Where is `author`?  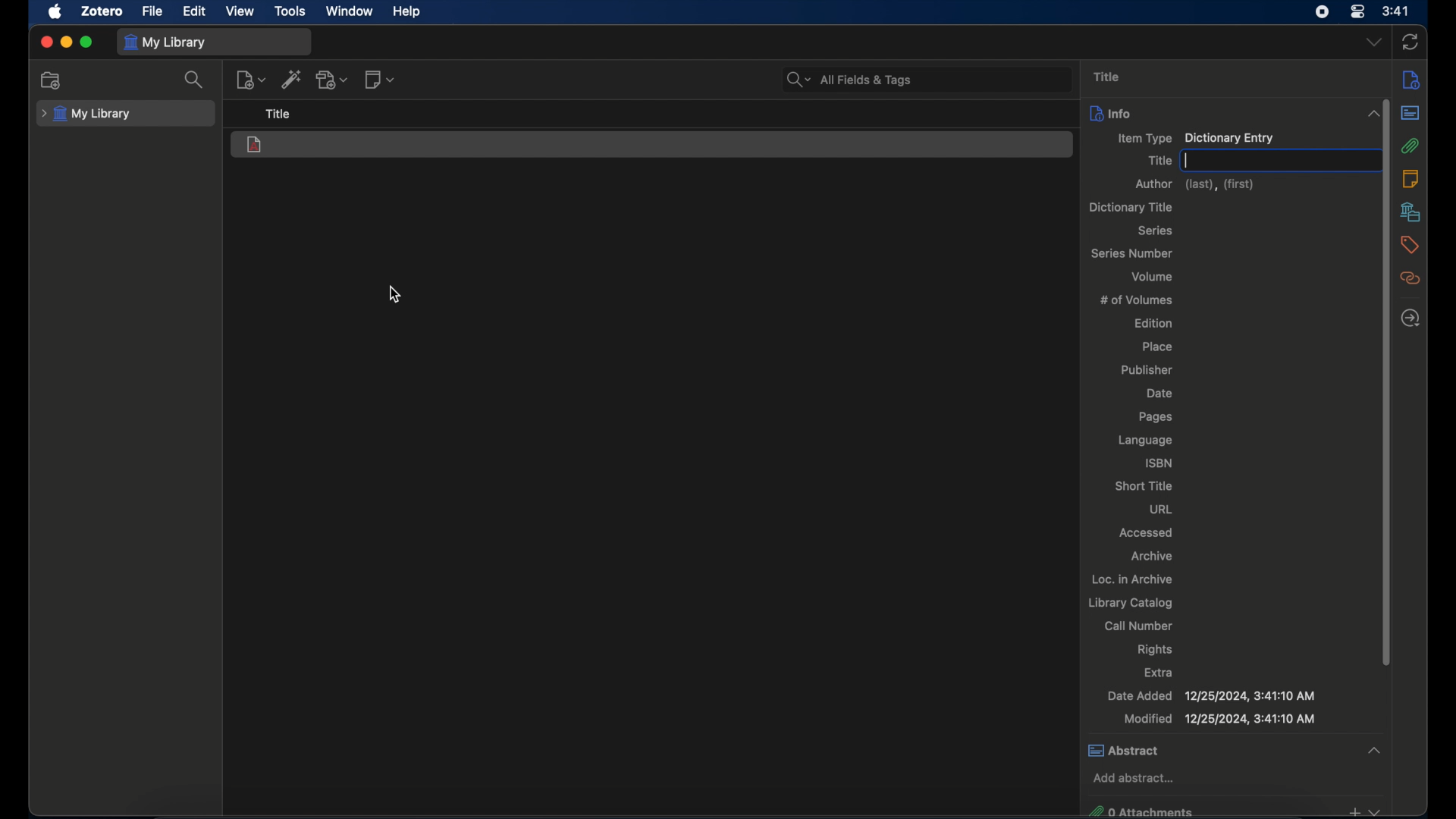
author is located at coordinates (1197, 185).